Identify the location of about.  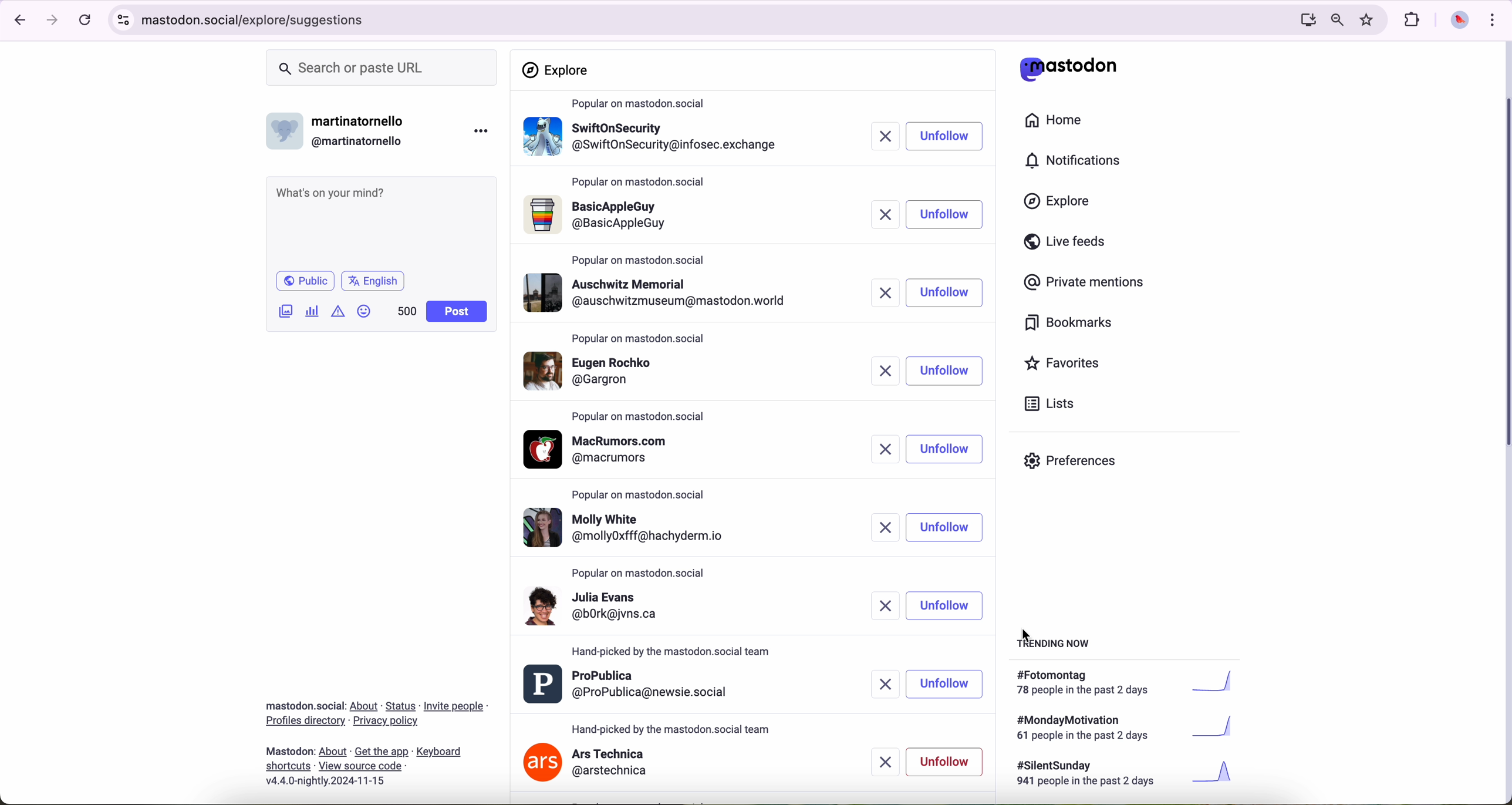
(376, 739).